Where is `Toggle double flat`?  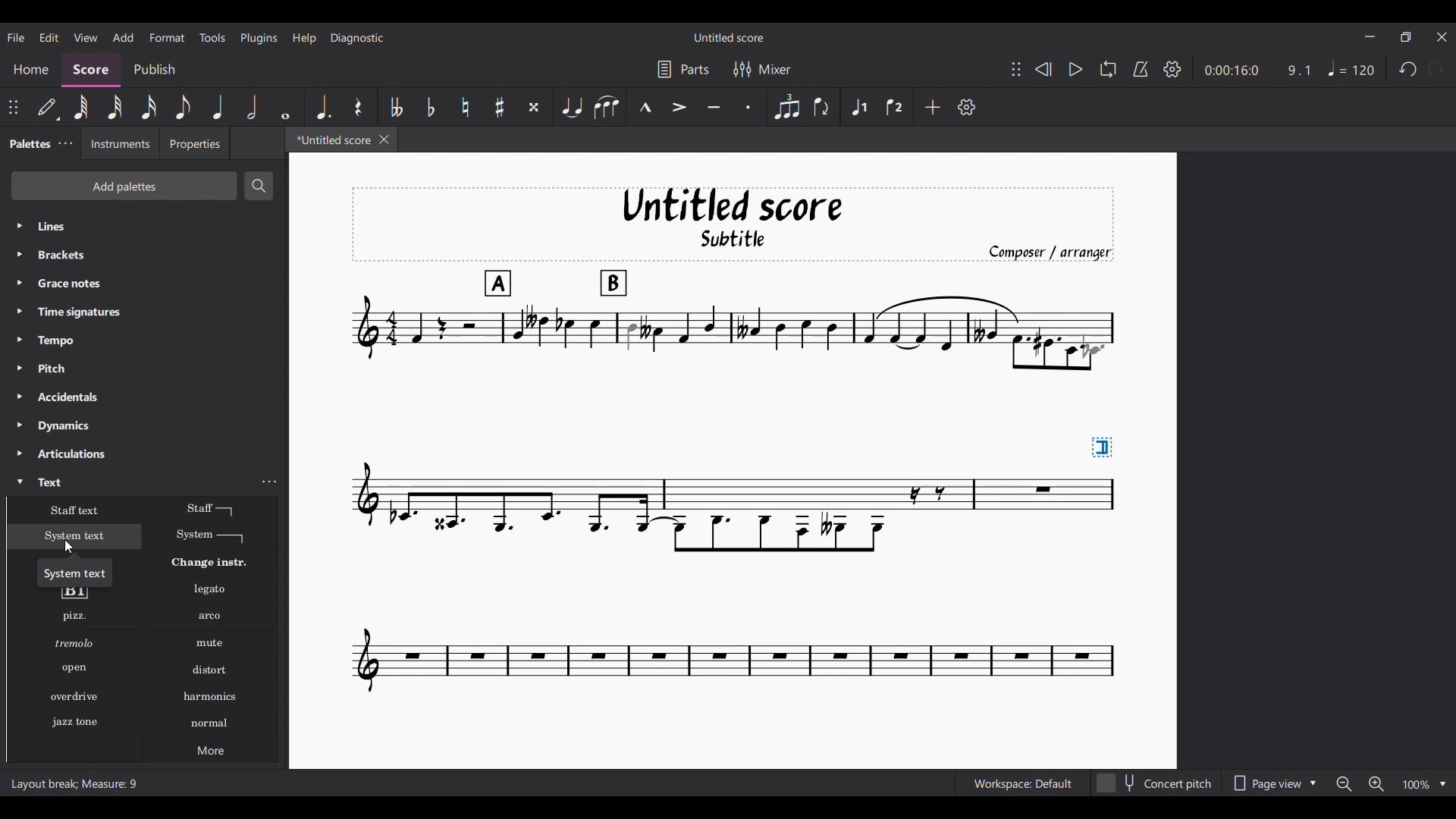 Toggle double flat is located at coordinates (394, 107).